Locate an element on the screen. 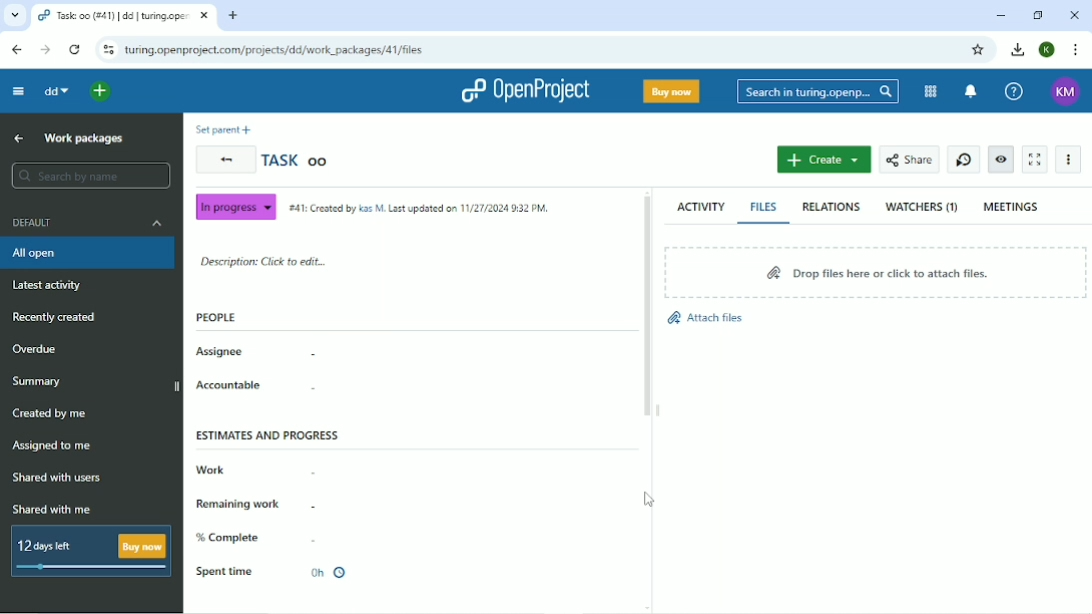 The height and width of the screenshot is (614, 1092). Restore down is located at coordinates (1037, 15).